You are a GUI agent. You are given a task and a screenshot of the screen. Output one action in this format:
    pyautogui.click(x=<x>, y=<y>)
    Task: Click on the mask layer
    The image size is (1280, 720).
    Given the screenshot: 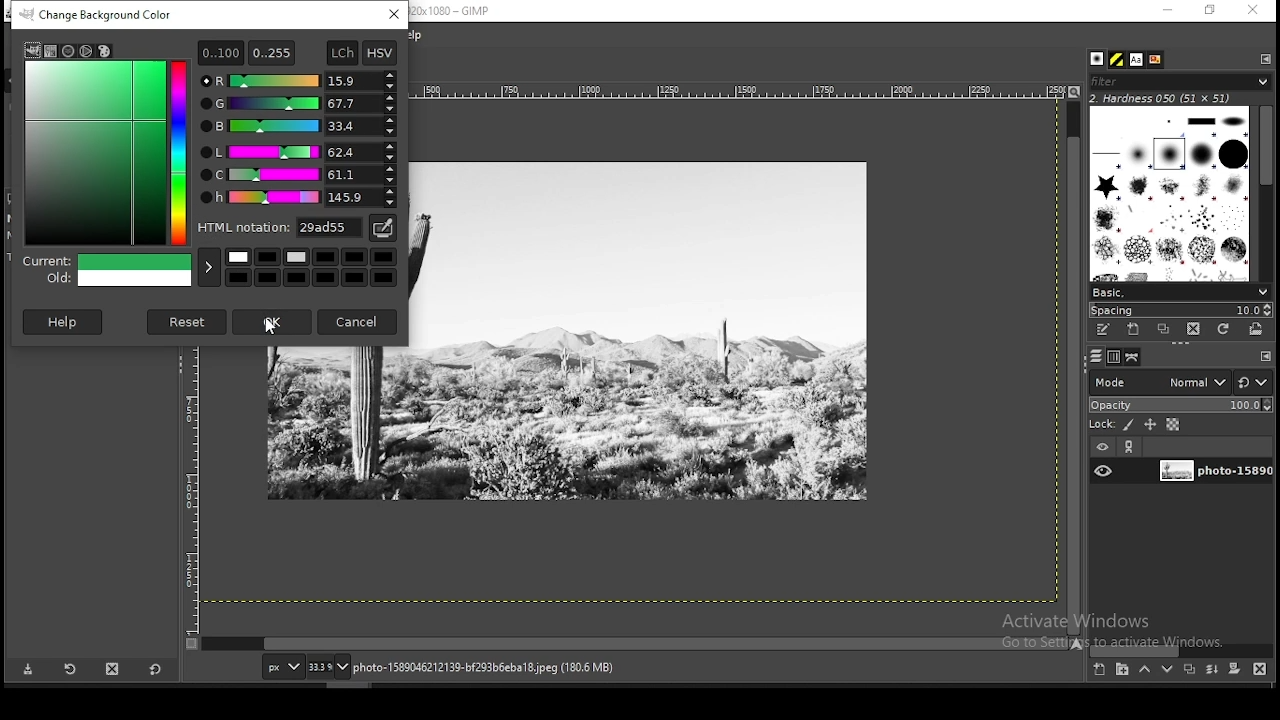 What is the action you would take?
    pyautogui.click(x=1234, y=670)
    